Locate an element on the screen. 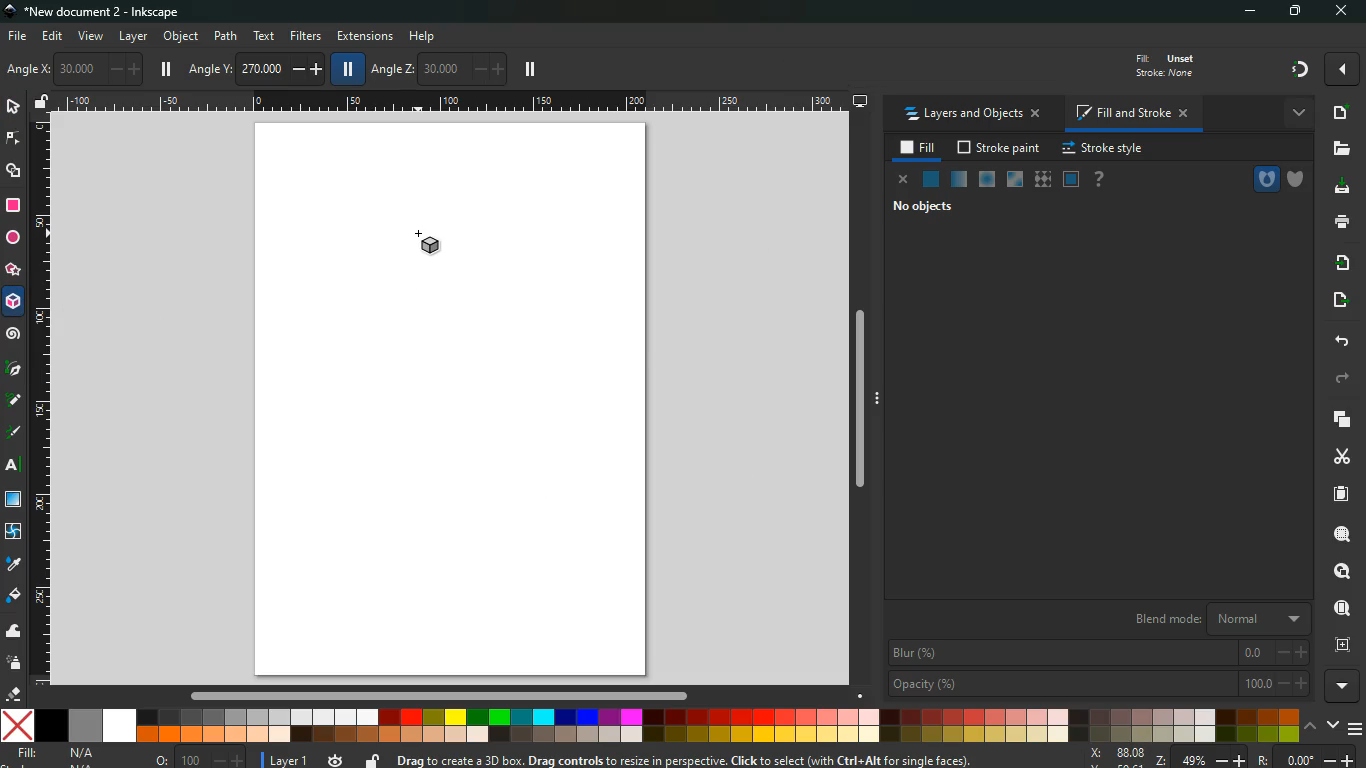  stroke style is located at coordinates (1102, 149).